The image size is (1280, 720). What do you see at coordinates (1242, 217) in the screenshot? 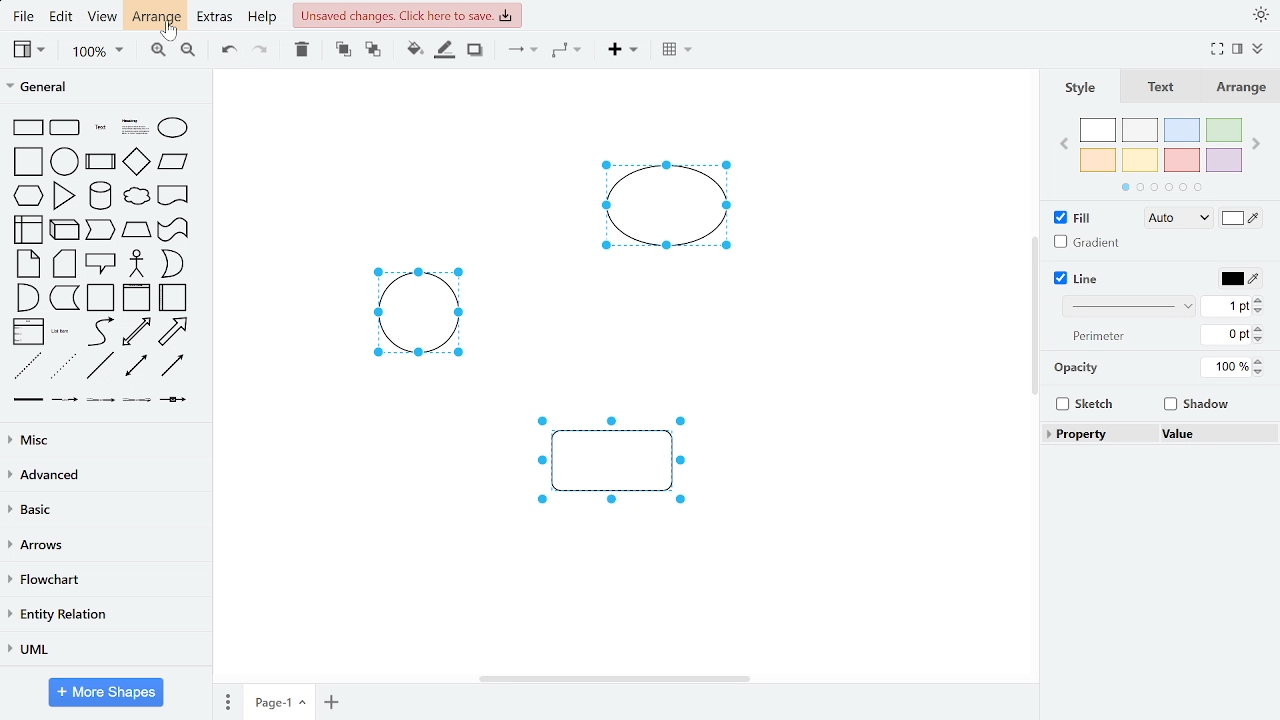
I see `fill color` at bounding box center [1242, 217].